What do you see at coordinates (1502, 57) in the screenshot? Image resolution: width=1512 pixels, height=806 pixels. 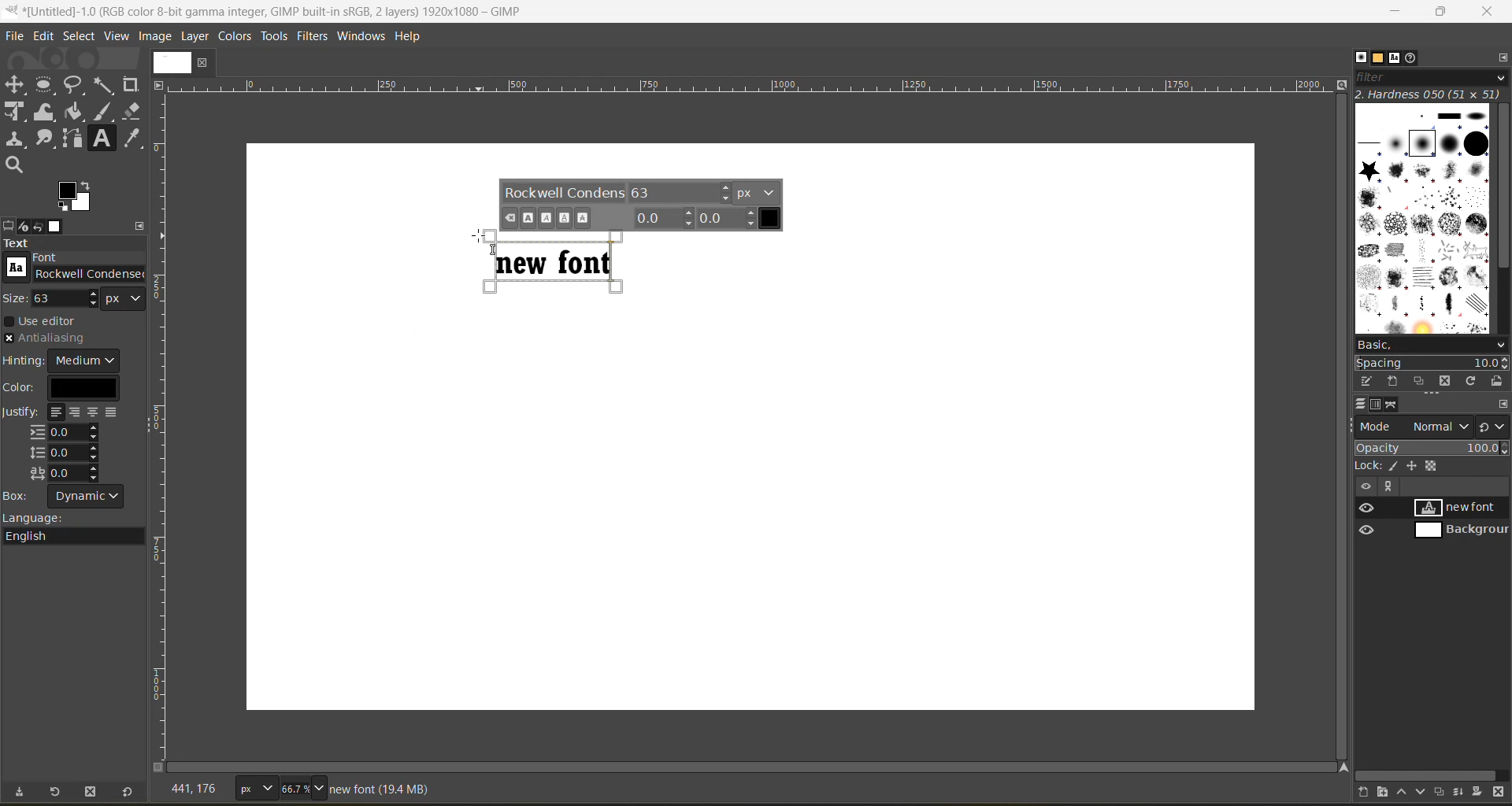 I see `configure` at bounding box center [1502, 57].